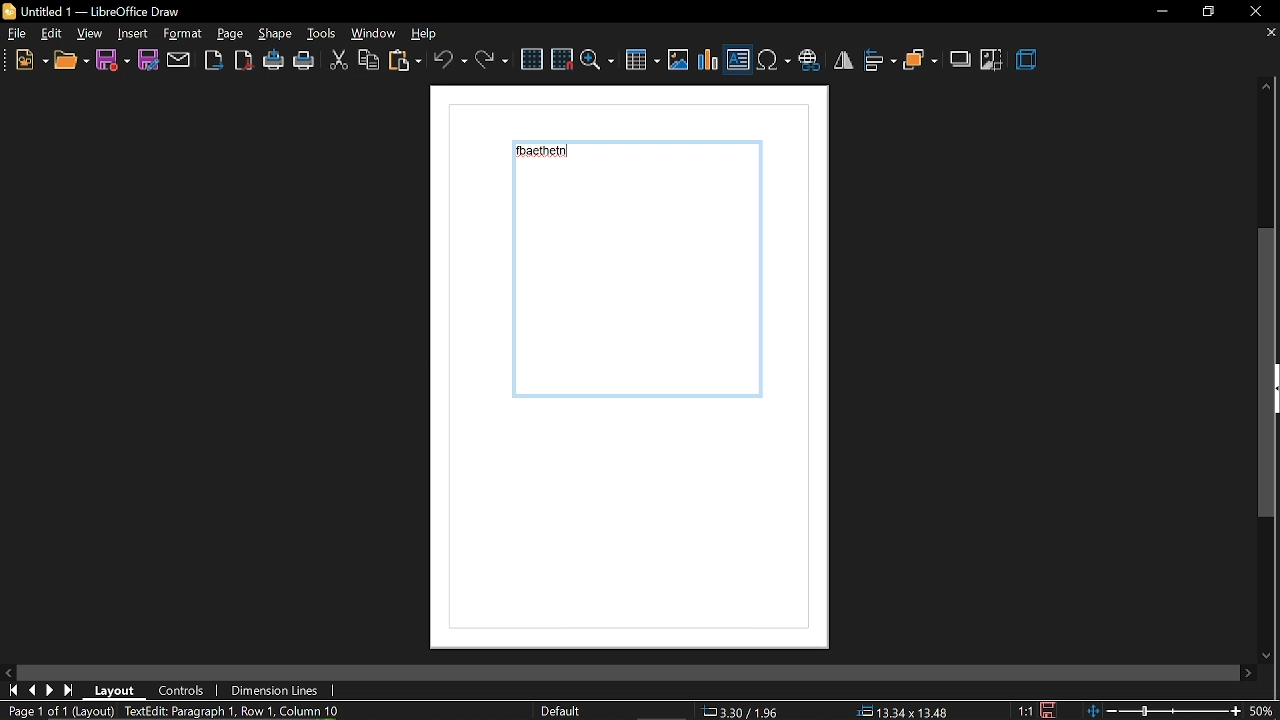 The width and height of the screenshot is (1280, 720). I want to click on view, so click(90, 33).